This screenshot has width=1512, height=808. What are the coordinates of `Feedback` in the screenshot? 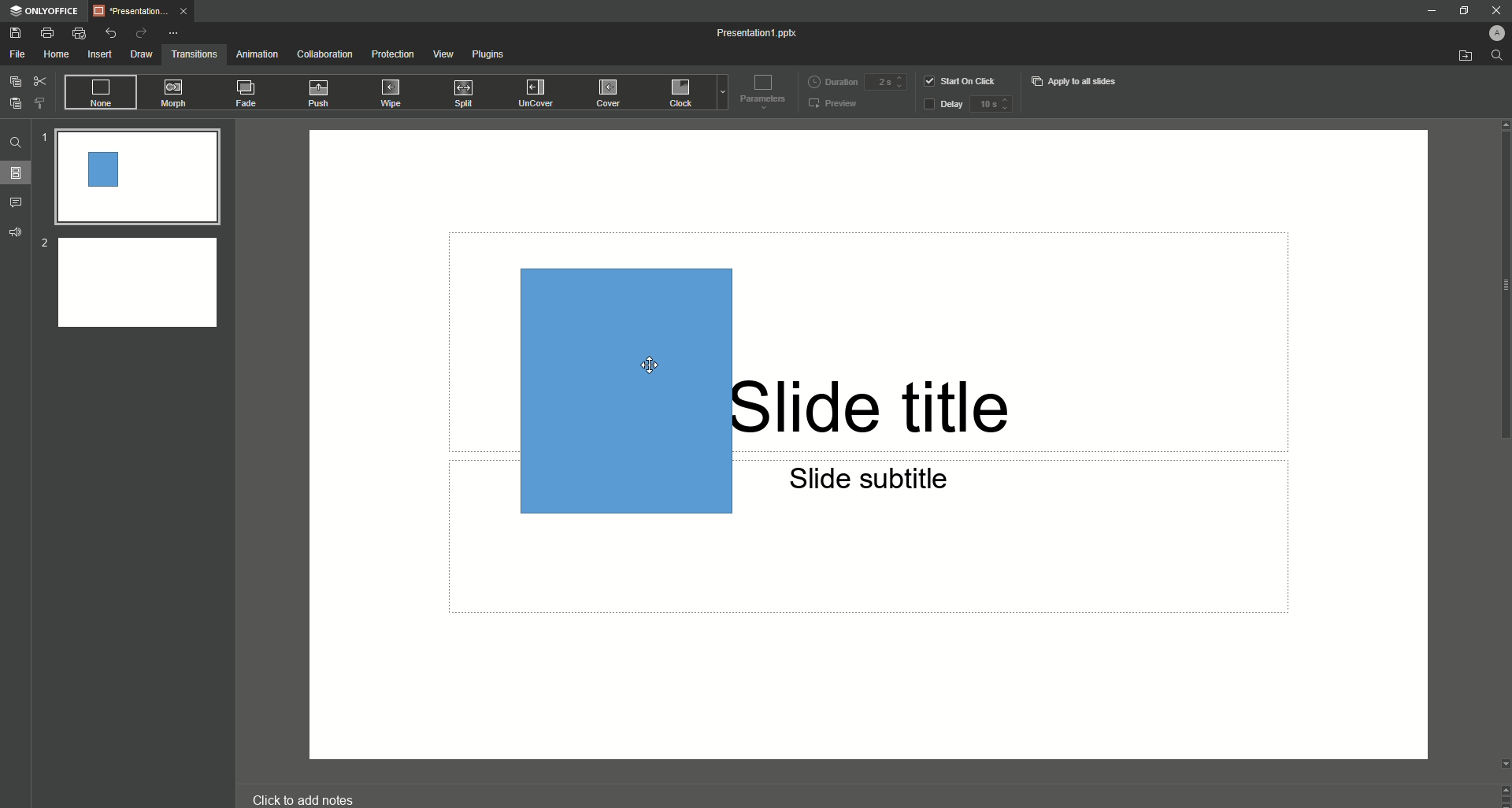 It's located at (14, 232).